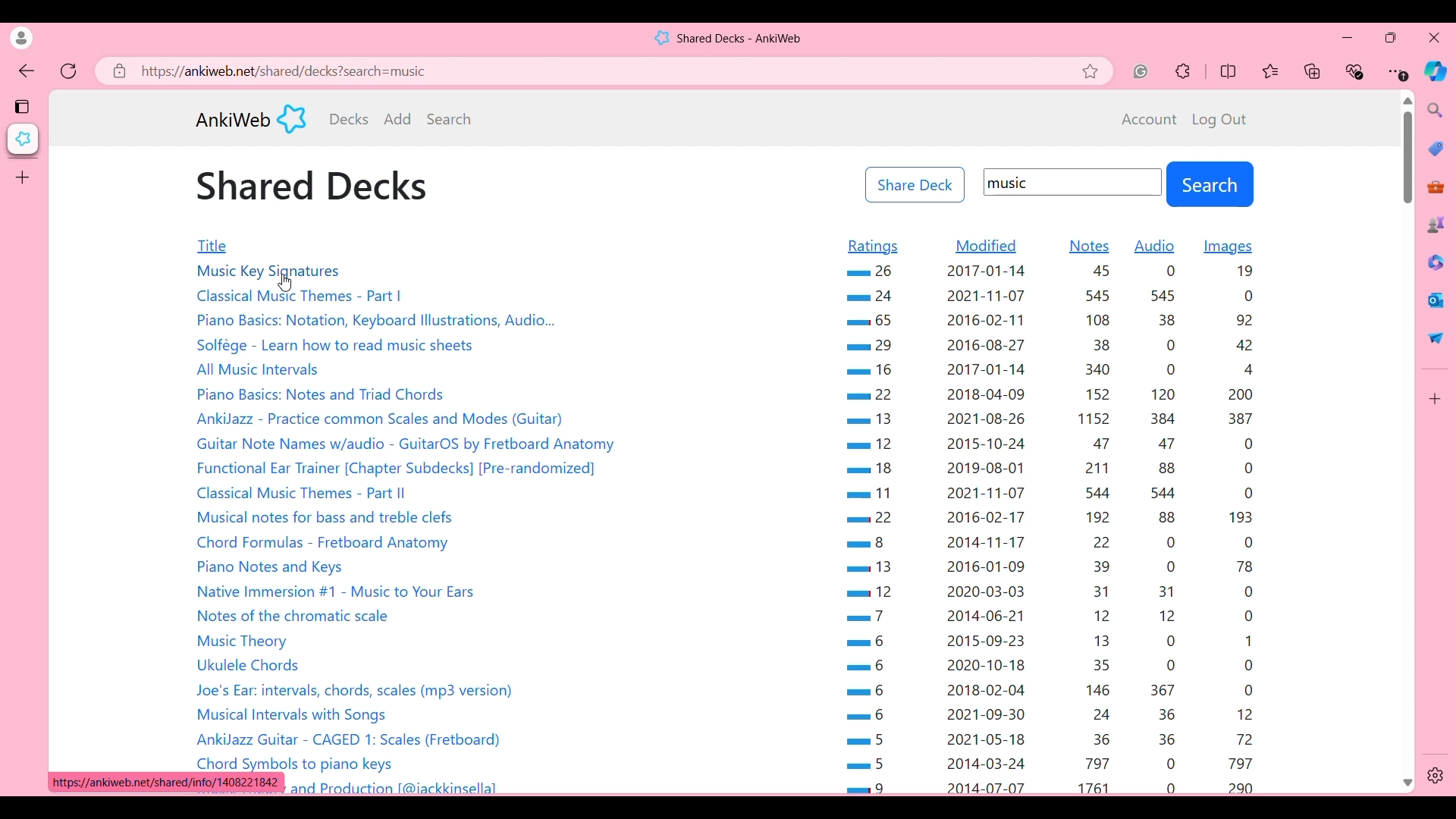  I want to click on Show browser in a smaller tab, so click(1391, 37).